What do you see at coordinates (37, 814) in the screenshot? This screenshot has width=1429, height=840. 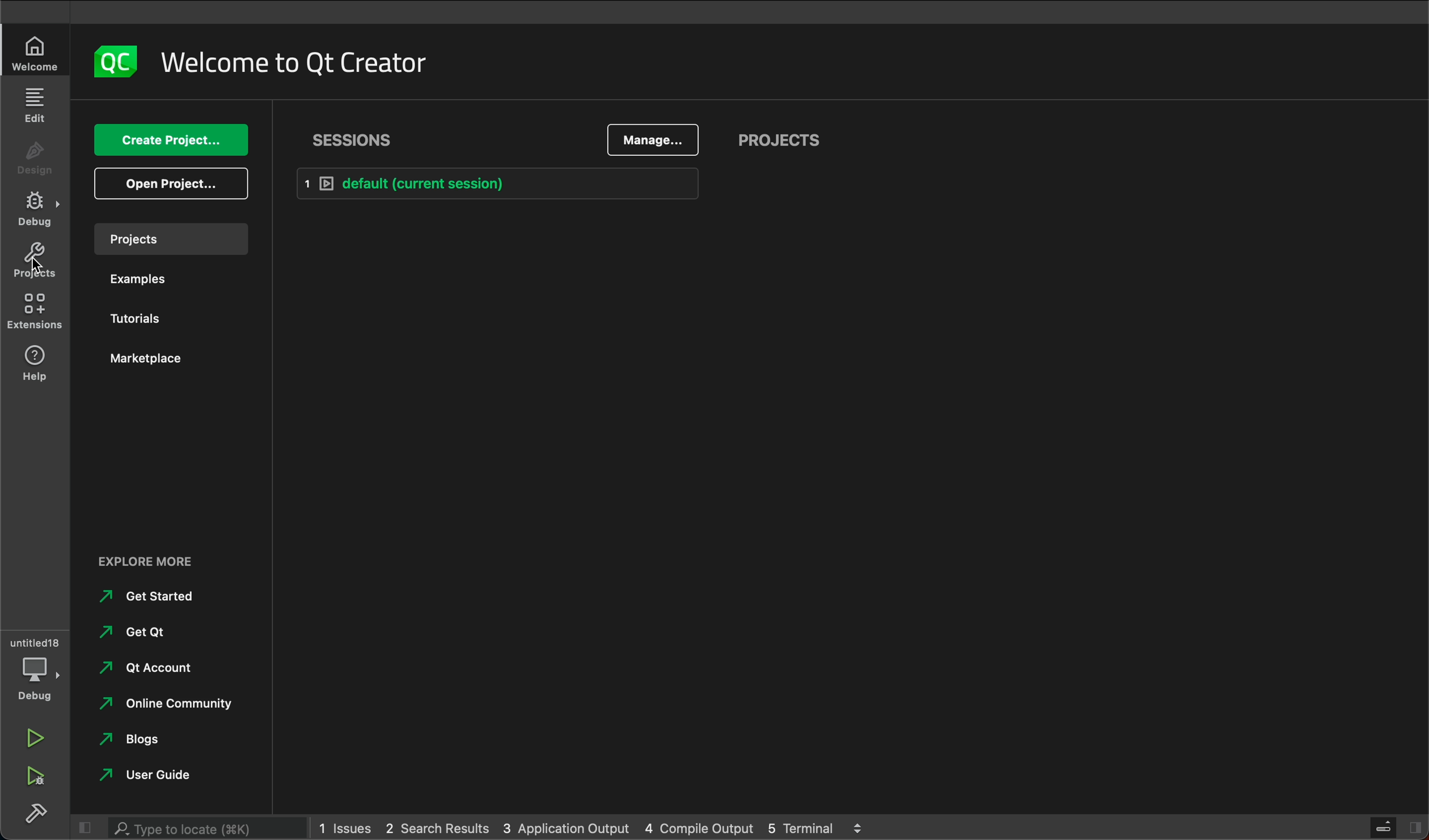 I see `build` at bounding box center [37, 814].